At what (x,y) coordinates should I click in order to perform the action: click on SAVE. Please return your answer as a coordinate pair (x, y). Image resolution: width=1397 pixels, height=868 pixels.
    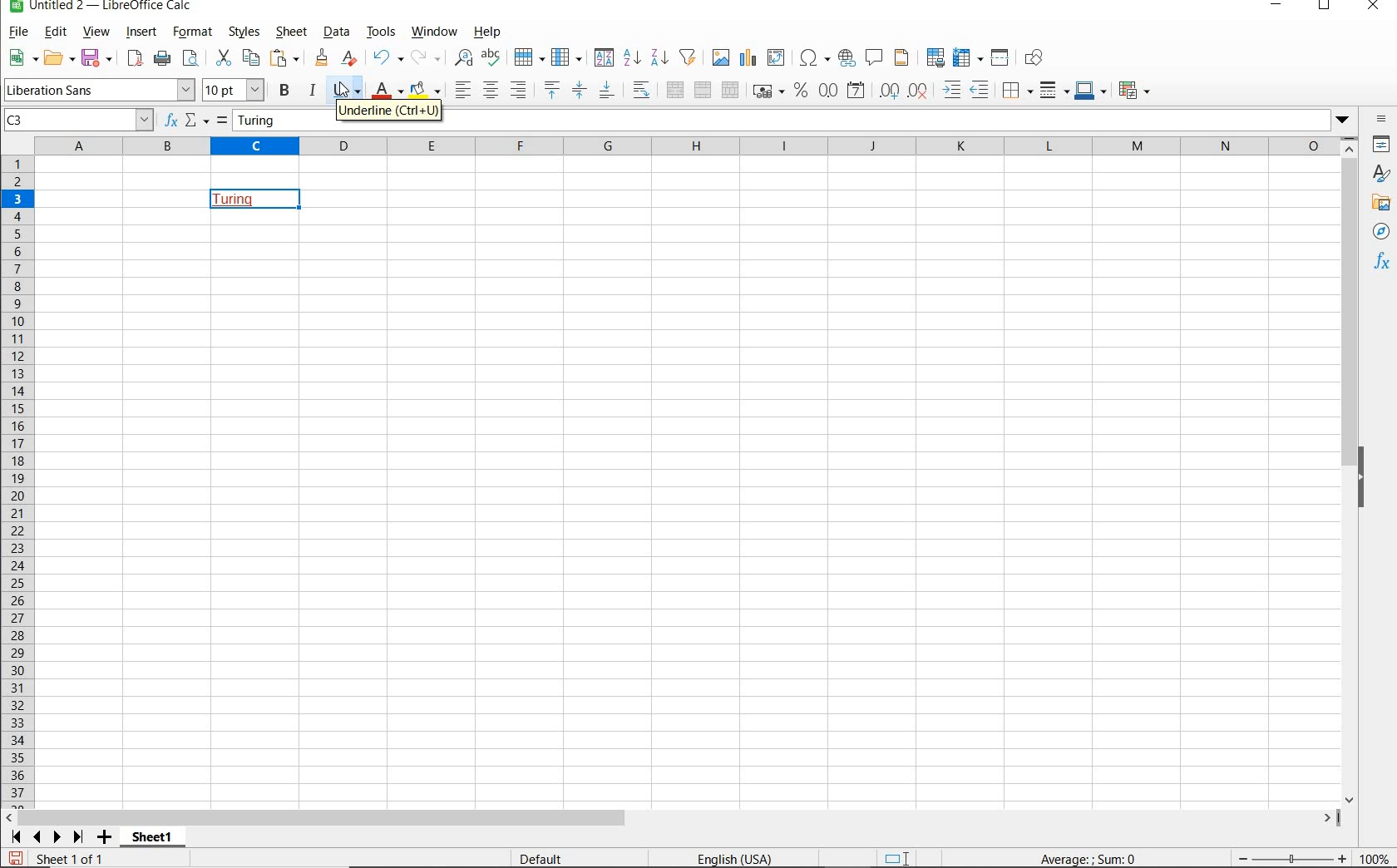
    Looking at the image, I should click on (96, 57).